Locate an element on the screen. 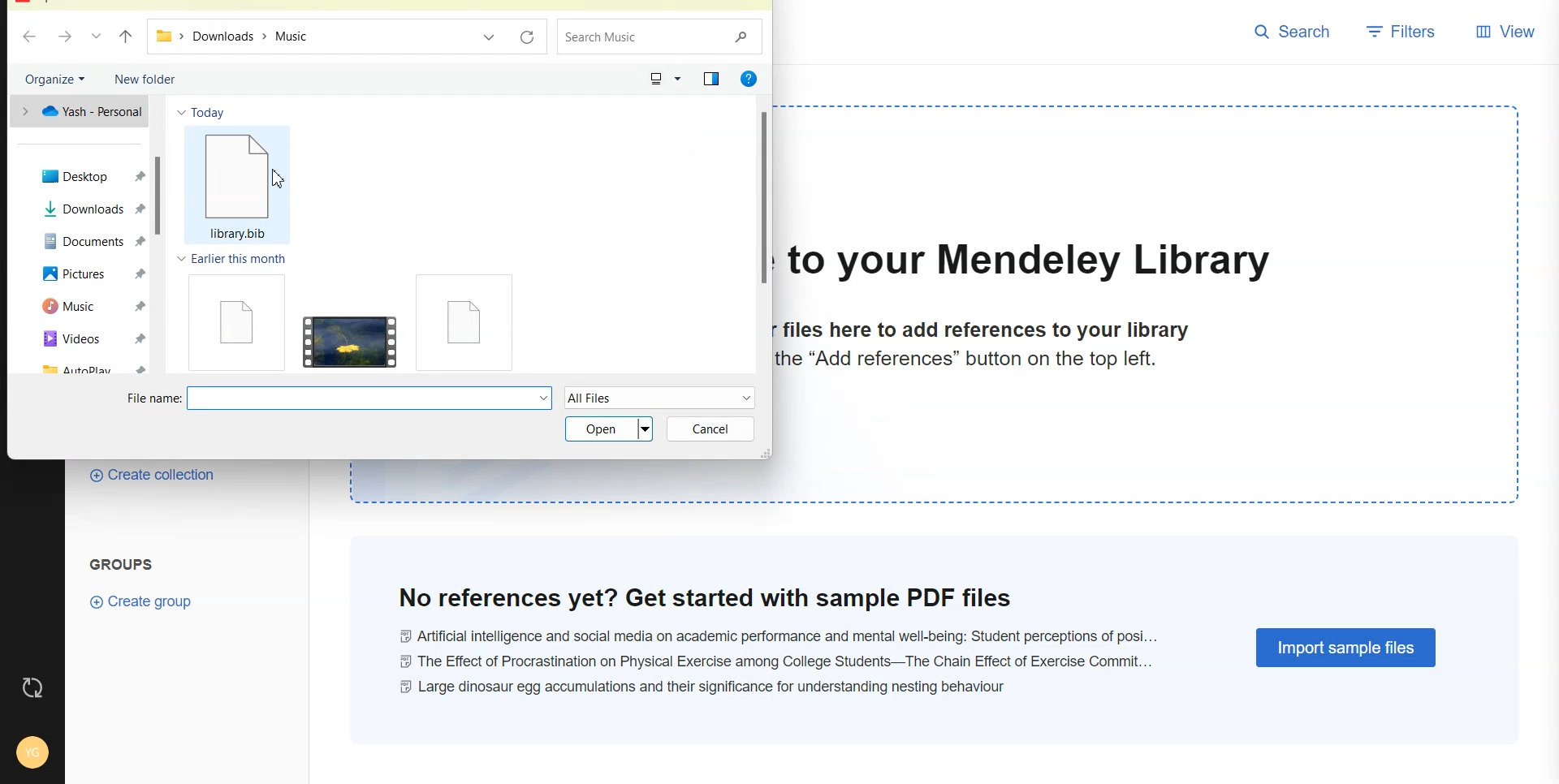  File is located at coordinates (232, 321).